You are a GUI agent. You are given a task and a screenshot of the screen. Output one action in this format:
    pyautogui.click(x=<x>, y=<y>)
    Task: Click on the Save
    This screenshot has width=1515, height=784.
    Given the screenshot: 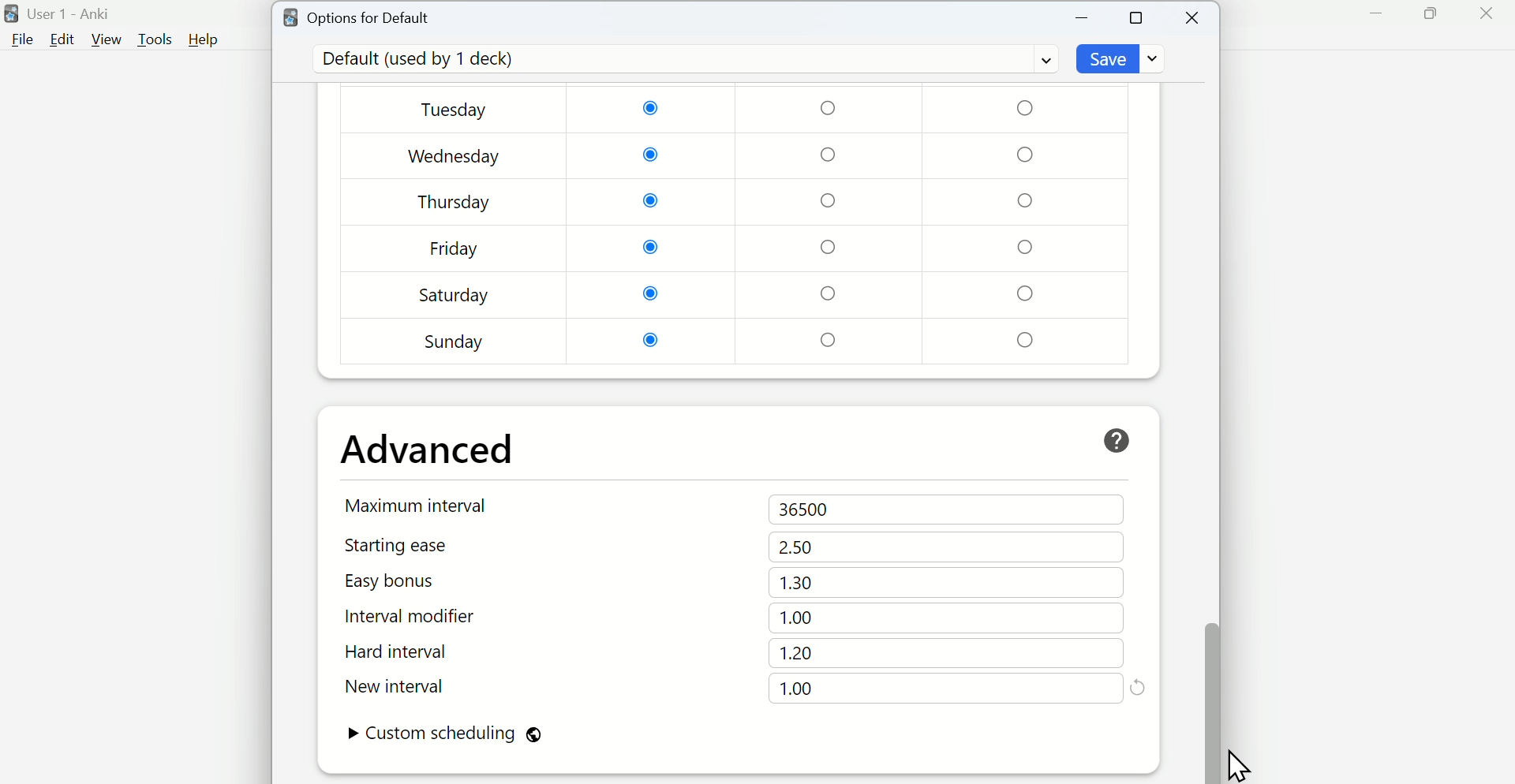 What is the action you would take?
    pyautogui.click(x=1123, y=58)
    